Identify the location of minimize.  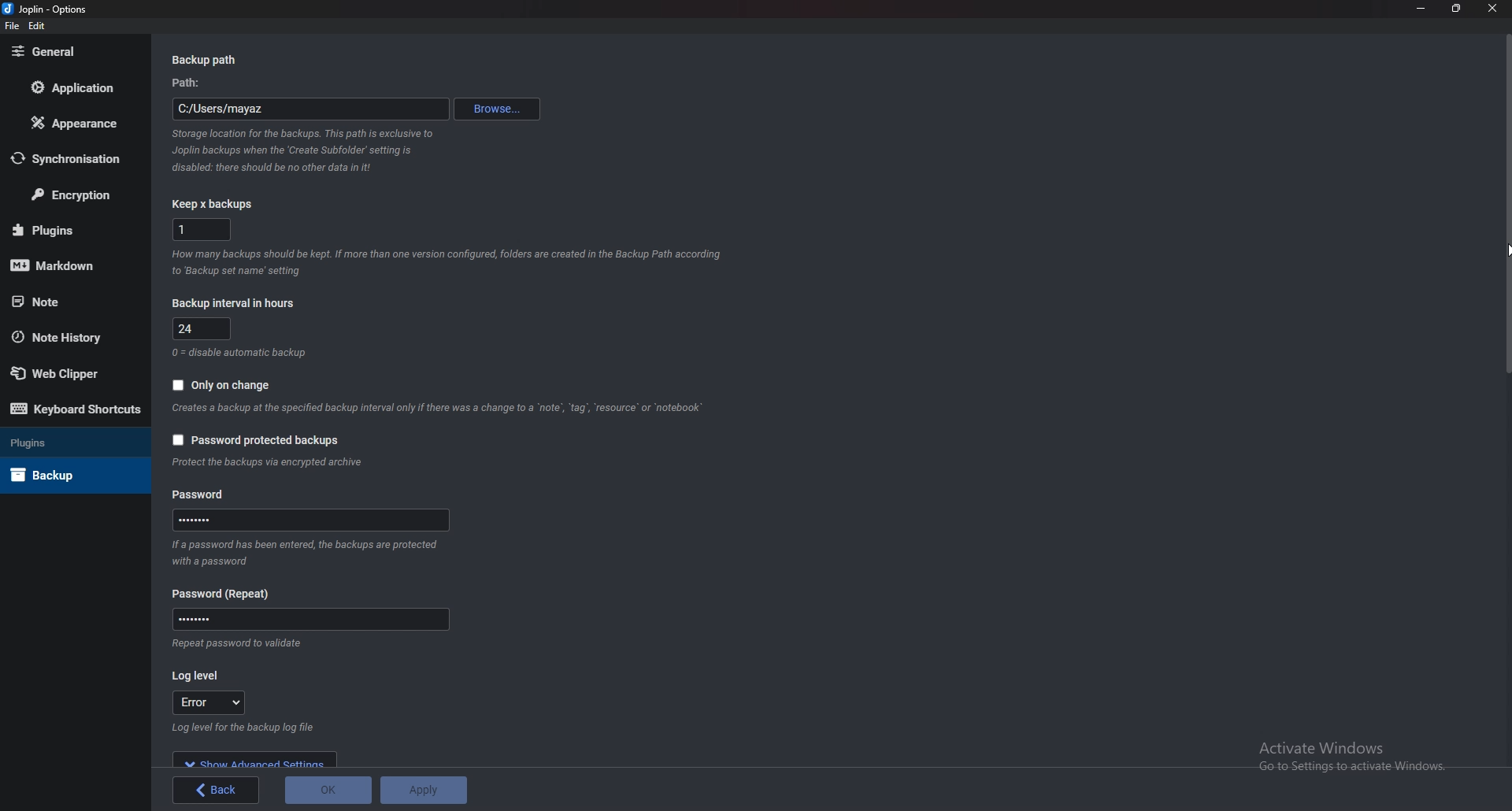
(1421, 8).